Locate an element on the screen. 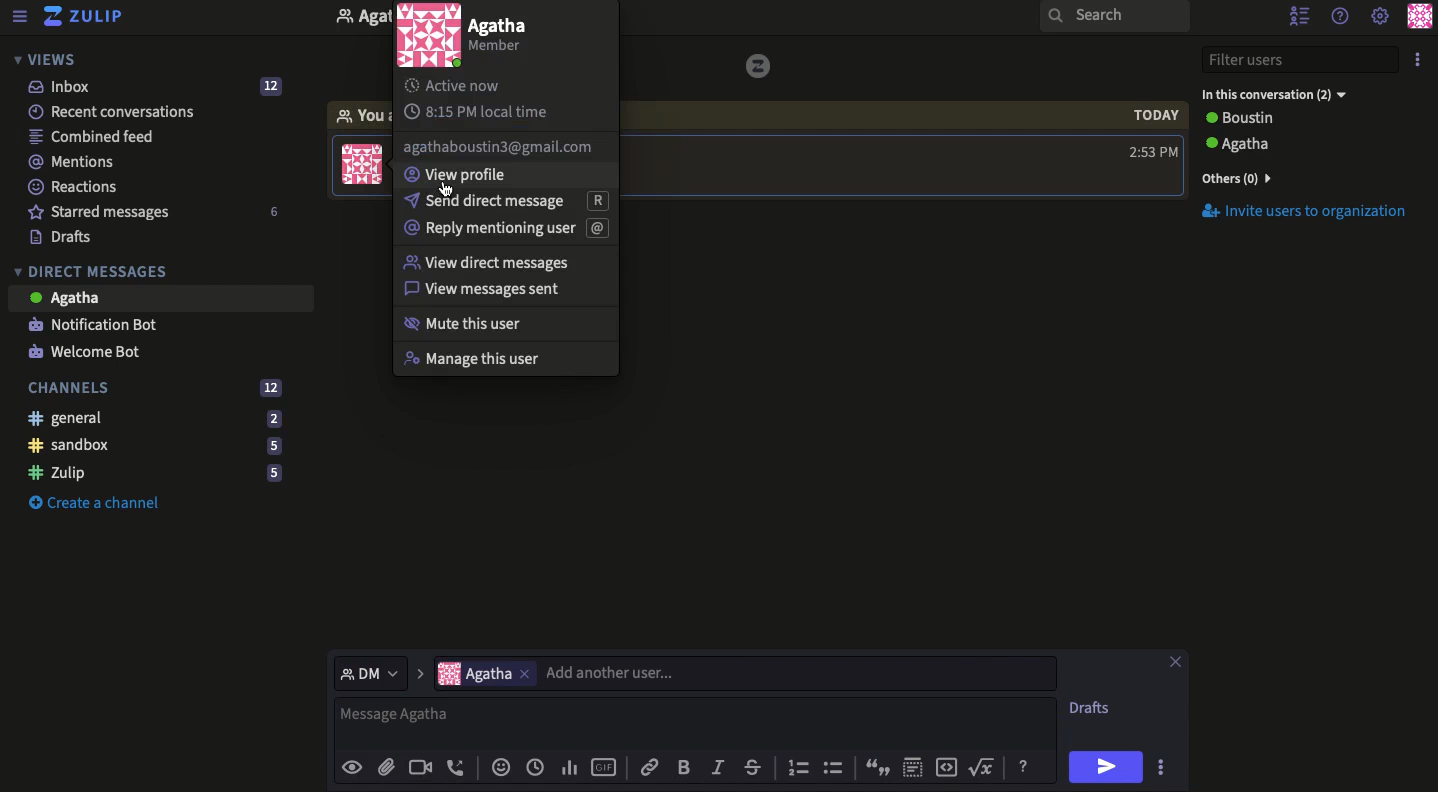 Image resolution: width=1438 pixels, height=792 pixels. email is located at coordinates (497, 148).